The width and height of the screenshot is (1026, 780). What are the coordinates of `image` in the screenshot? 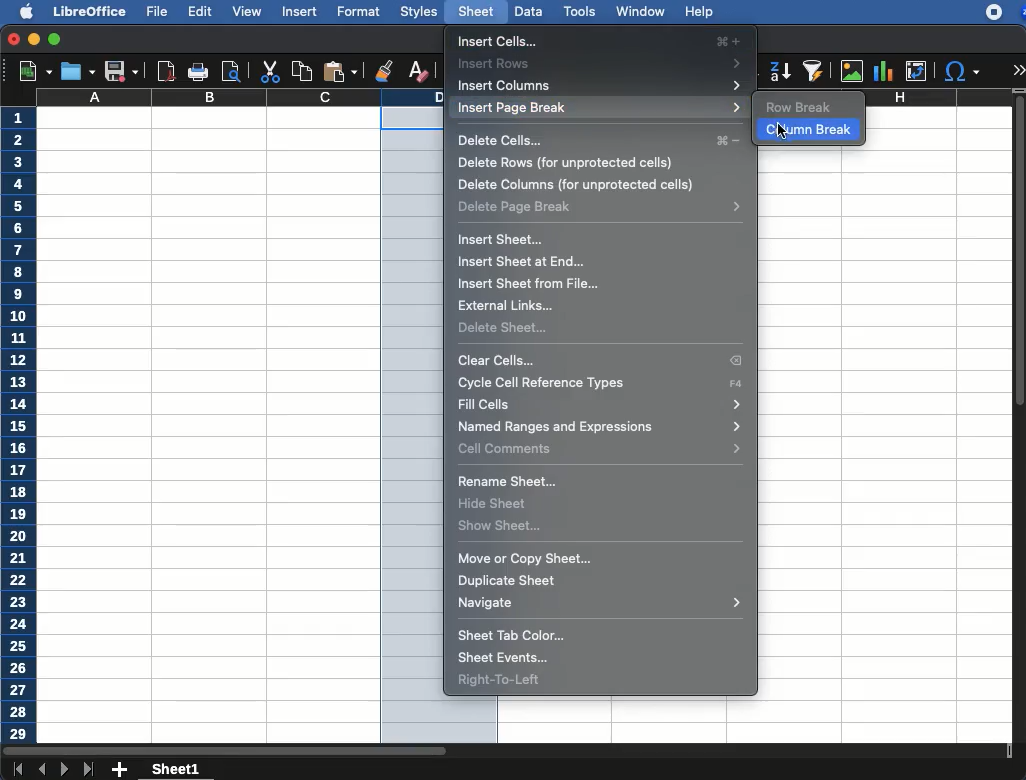 It's located at (852, 71).